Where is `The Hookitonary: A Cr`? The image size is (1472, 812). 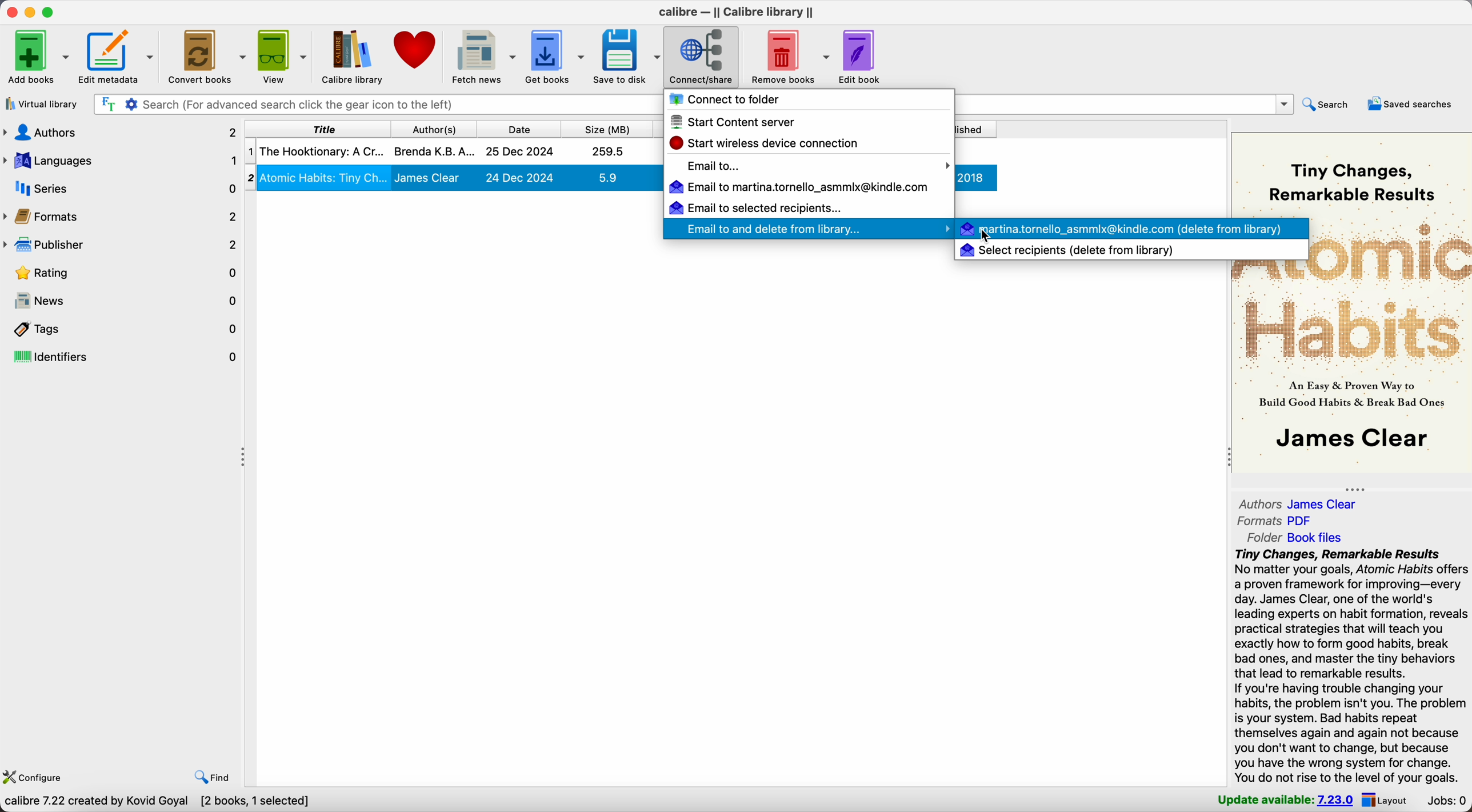
The Hookitonary: A Cr is located at coordinates (321, 151).